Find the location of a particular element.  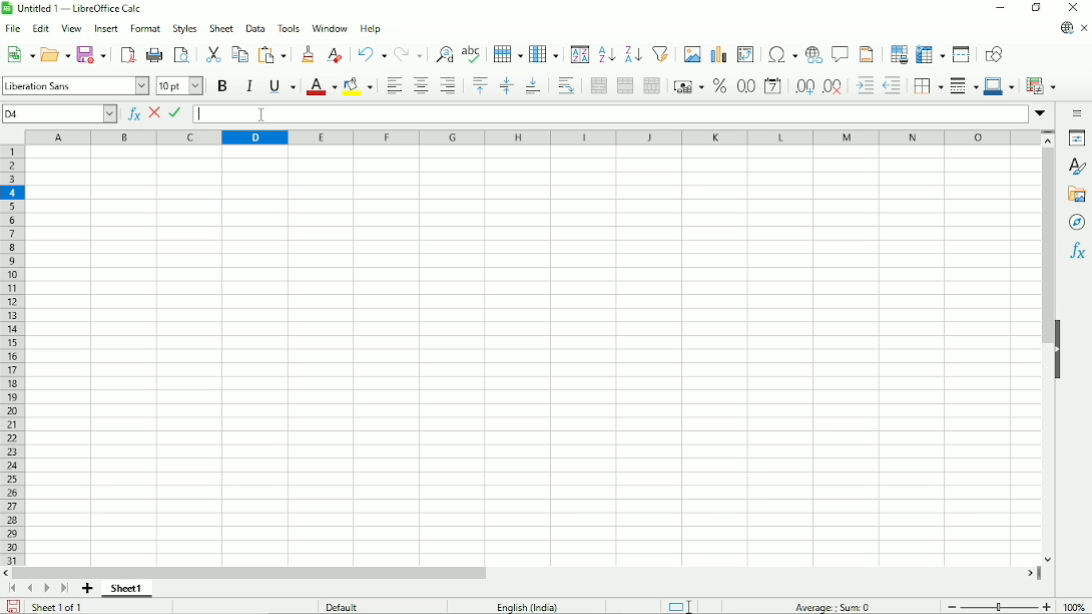

Scroll to last sheet is located at coordinates (65, 588).